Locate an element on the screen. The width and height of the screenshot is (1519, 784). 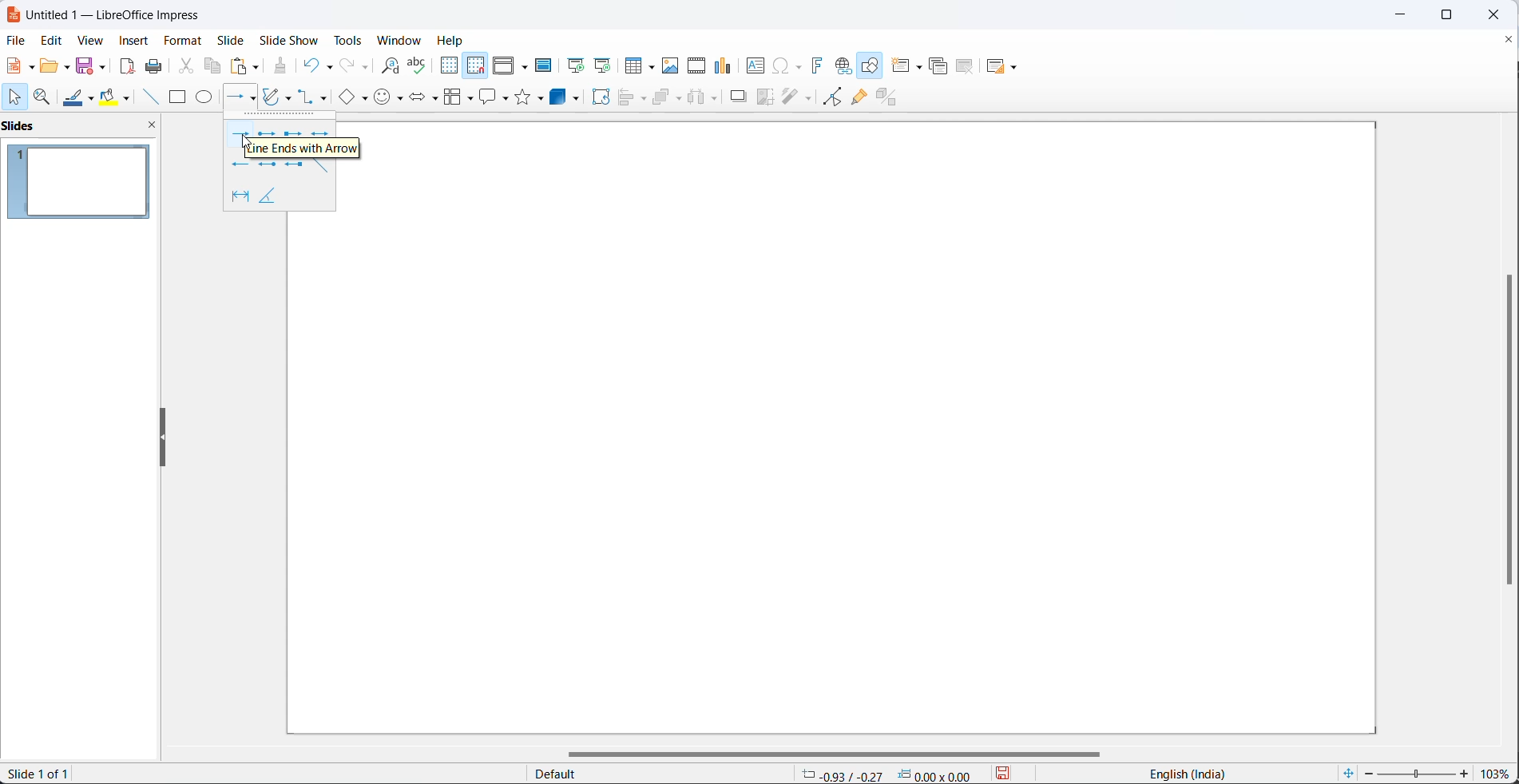
file options is located at coordinates (19, 66).